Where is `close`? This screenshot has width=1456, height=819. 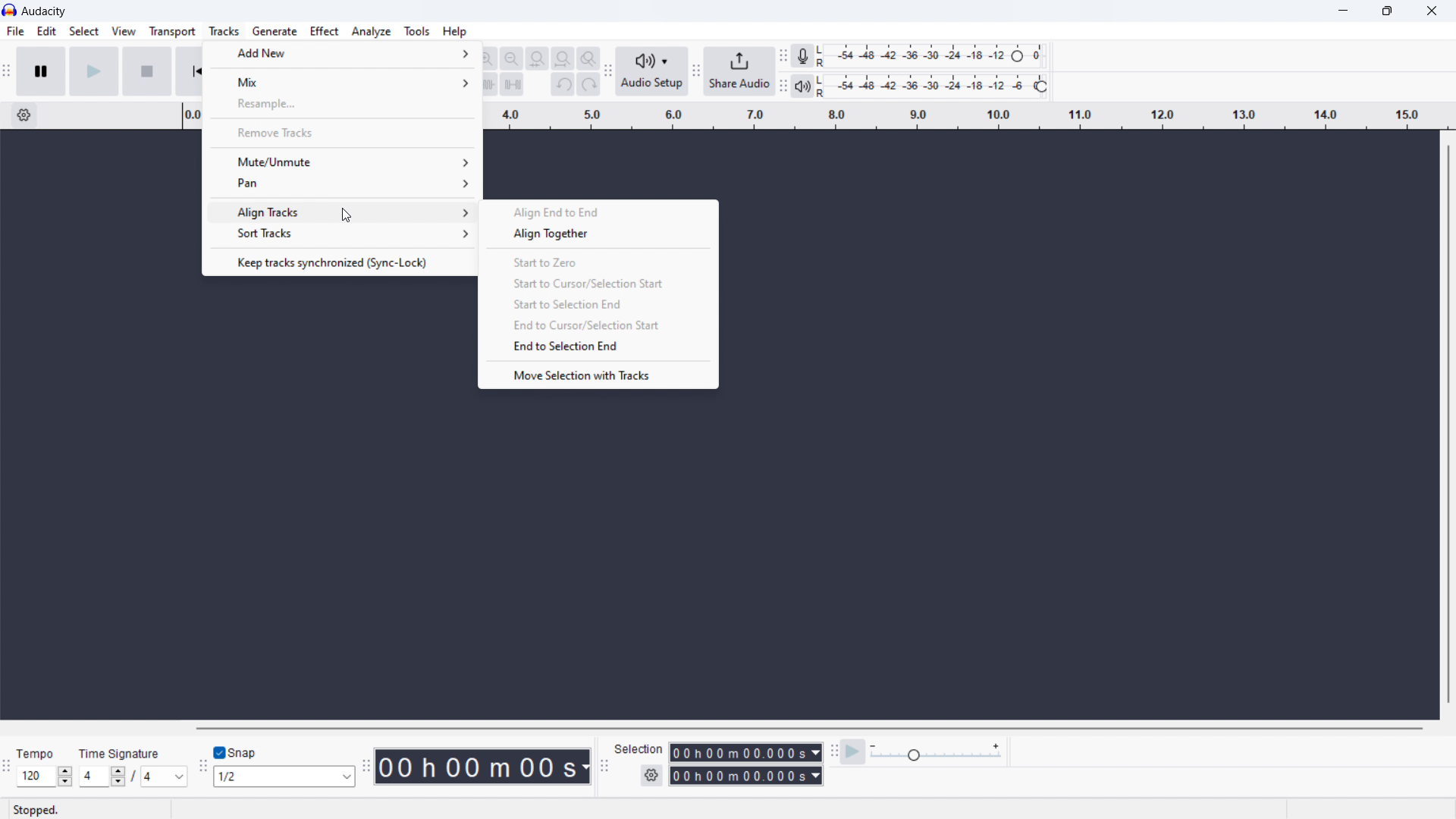
close is located at coordinates (1429, 13).